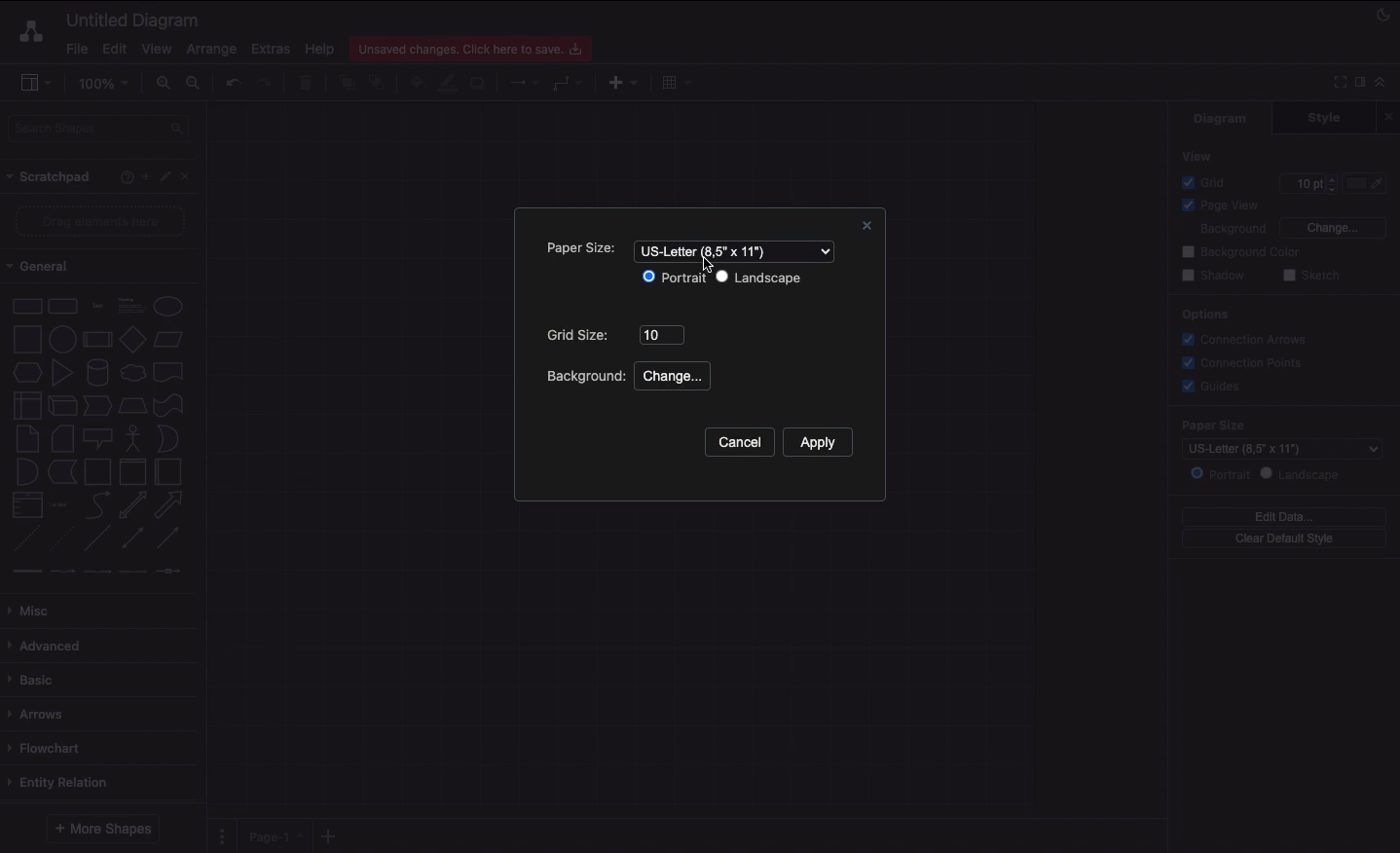 The height and width of the screenshot is (853, 1400). Describe the element at coordinates (129, 306) in the screenshot. I see `Text box` at that location.